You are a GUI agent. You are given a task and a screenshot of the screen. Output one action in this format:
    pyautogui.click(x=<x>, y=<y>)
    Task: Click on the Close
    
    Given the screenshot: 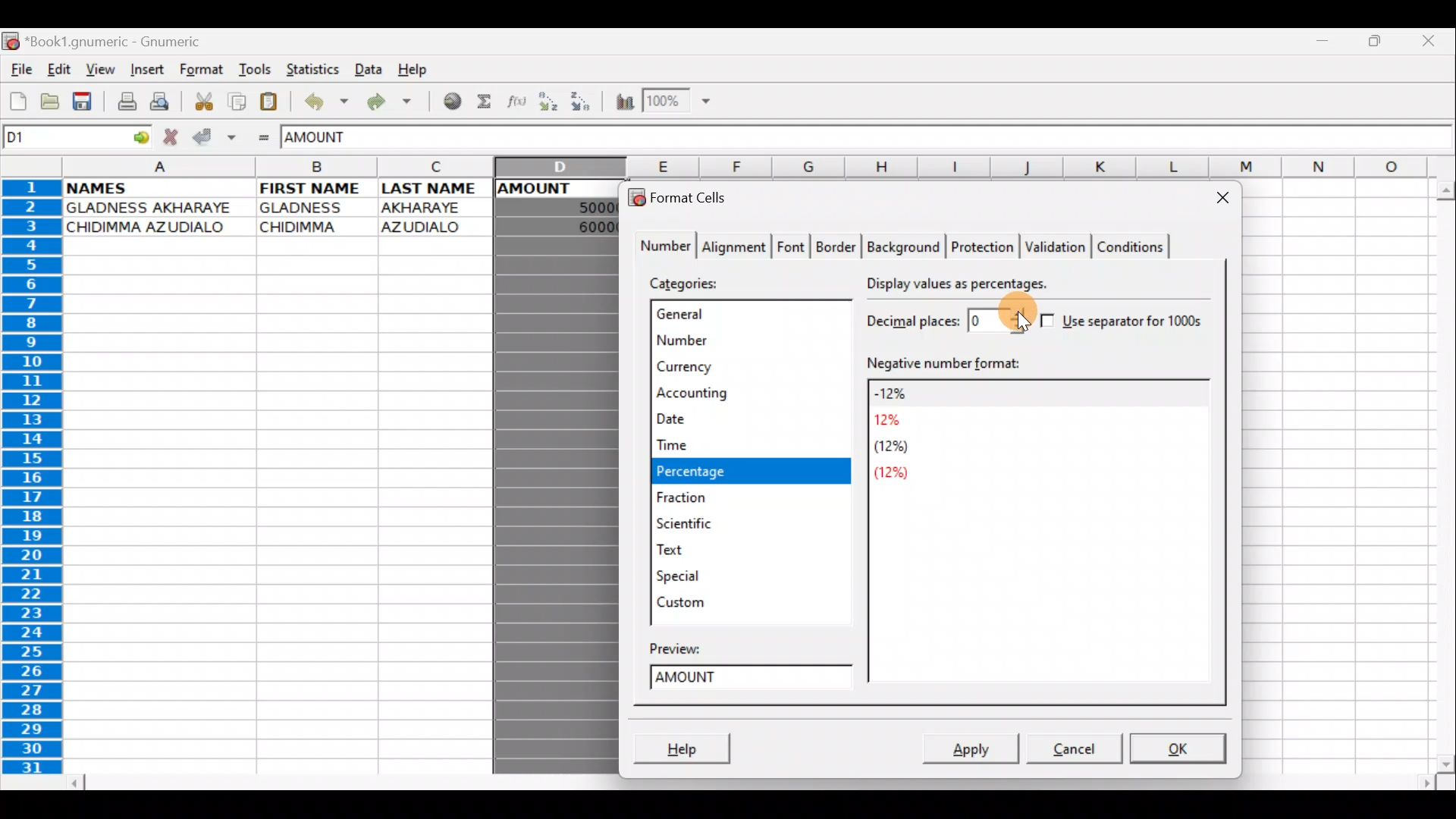 What is the action you would take?
    pyautogui.click(x=1429, y=39)
    